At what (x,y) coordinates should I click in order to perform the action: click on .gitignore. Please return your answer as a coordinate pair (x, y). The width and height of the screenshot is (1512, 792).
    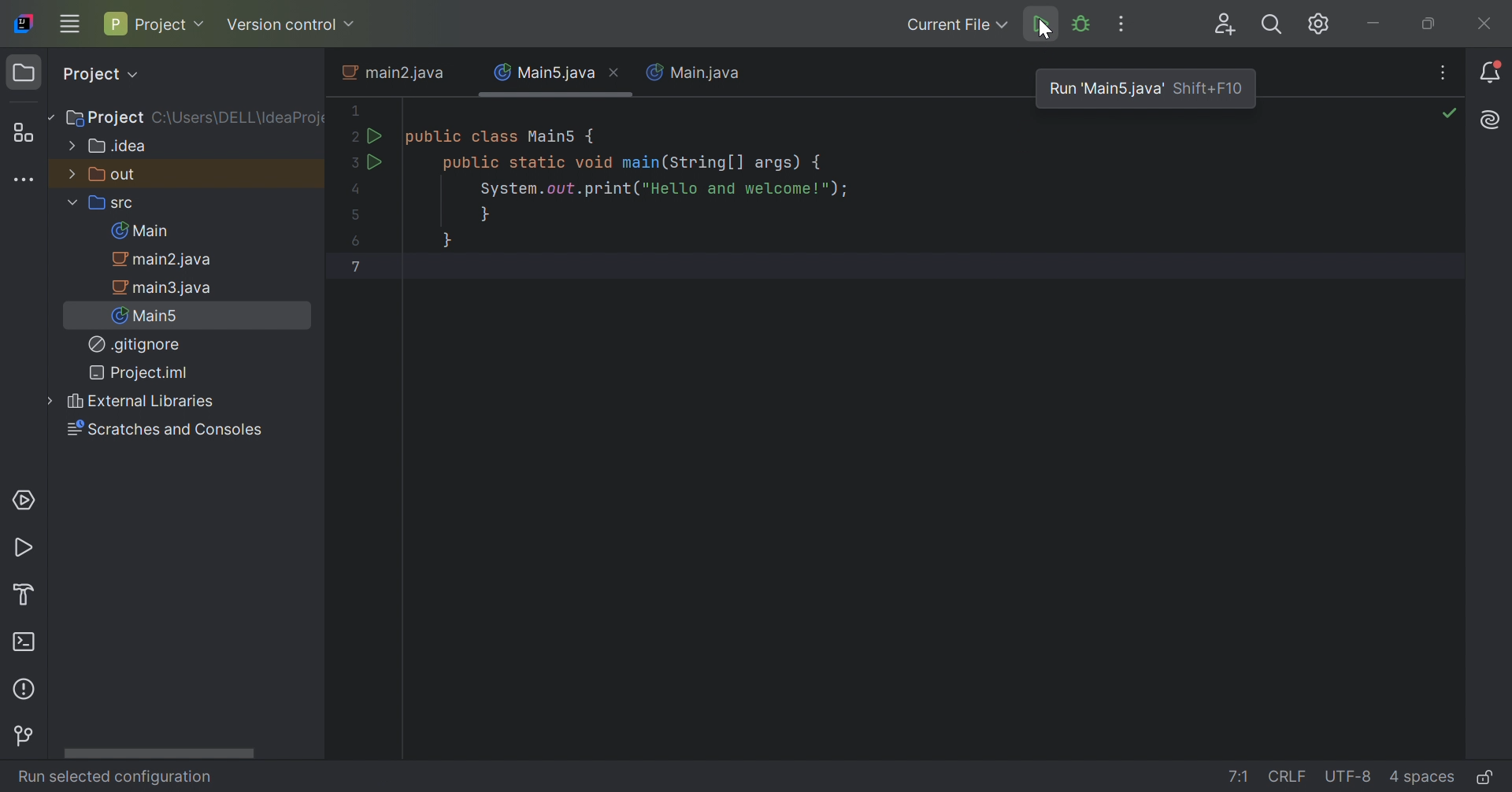
    Looking at the image, I should click on (133, 344).